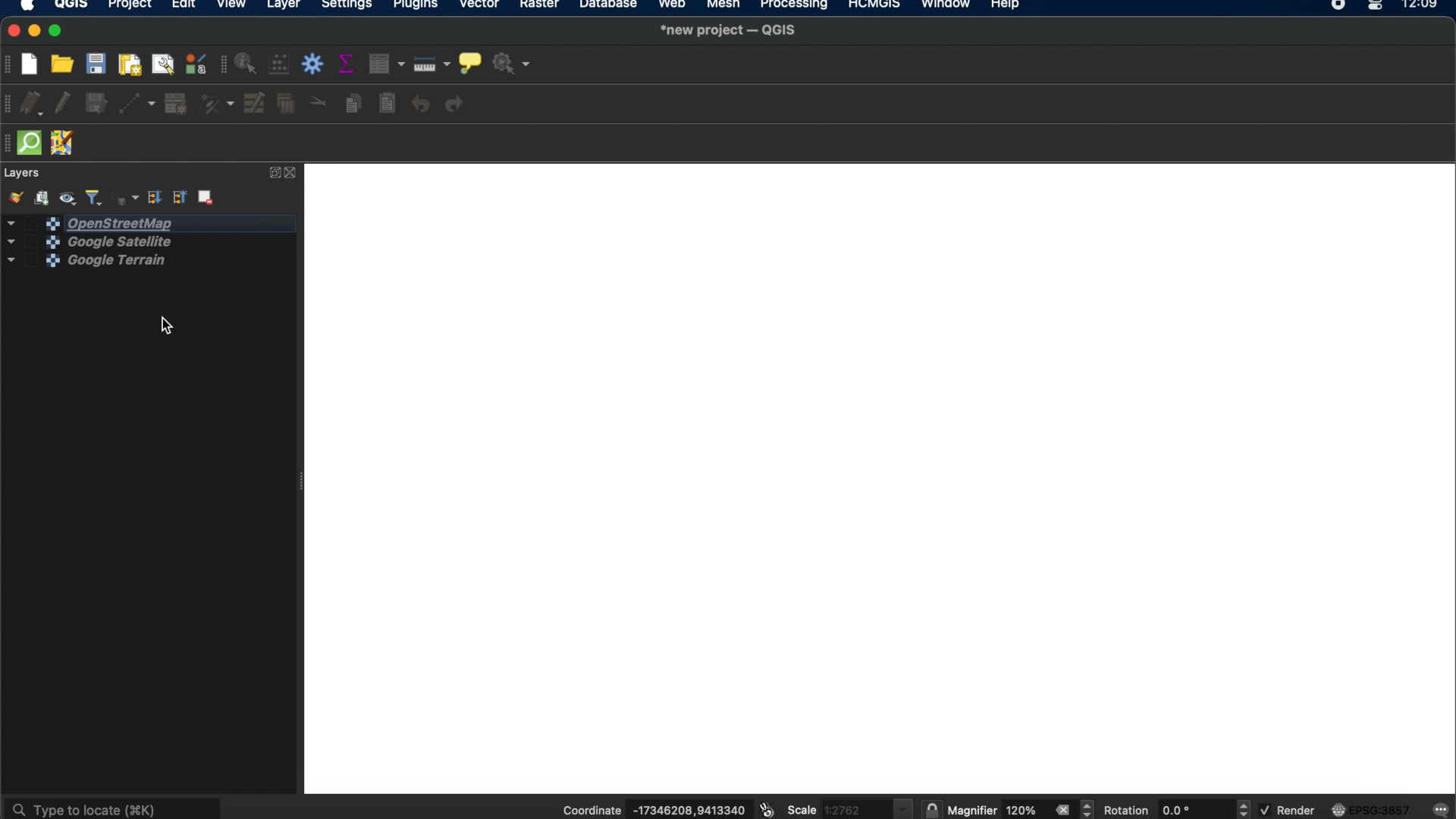 Image resolution: width=1456 pixels, height=819 pixels. I want to click on new print layout, so click(131, 64).